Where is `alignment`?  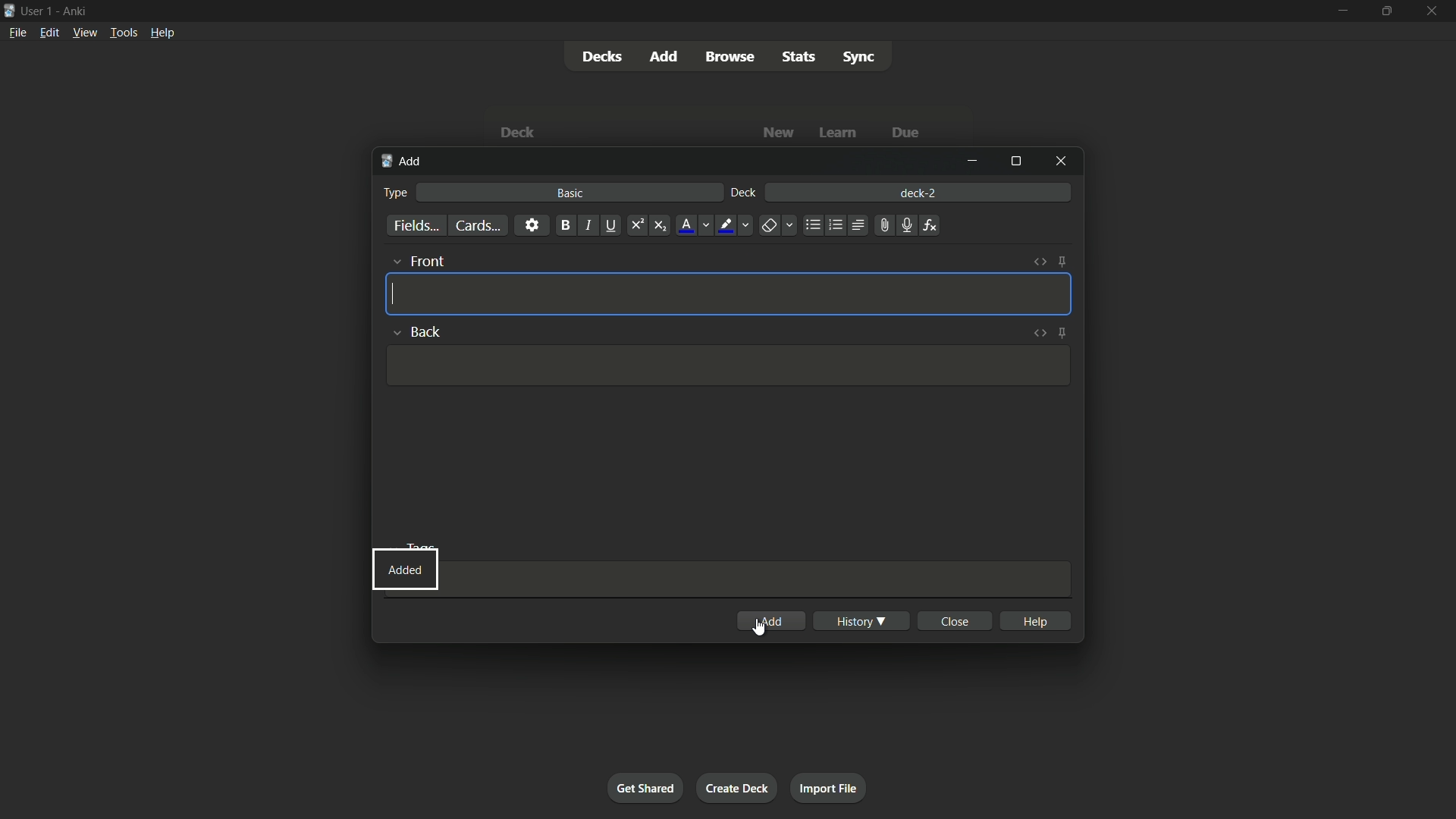 alignment is located at coordinates (859, 224).